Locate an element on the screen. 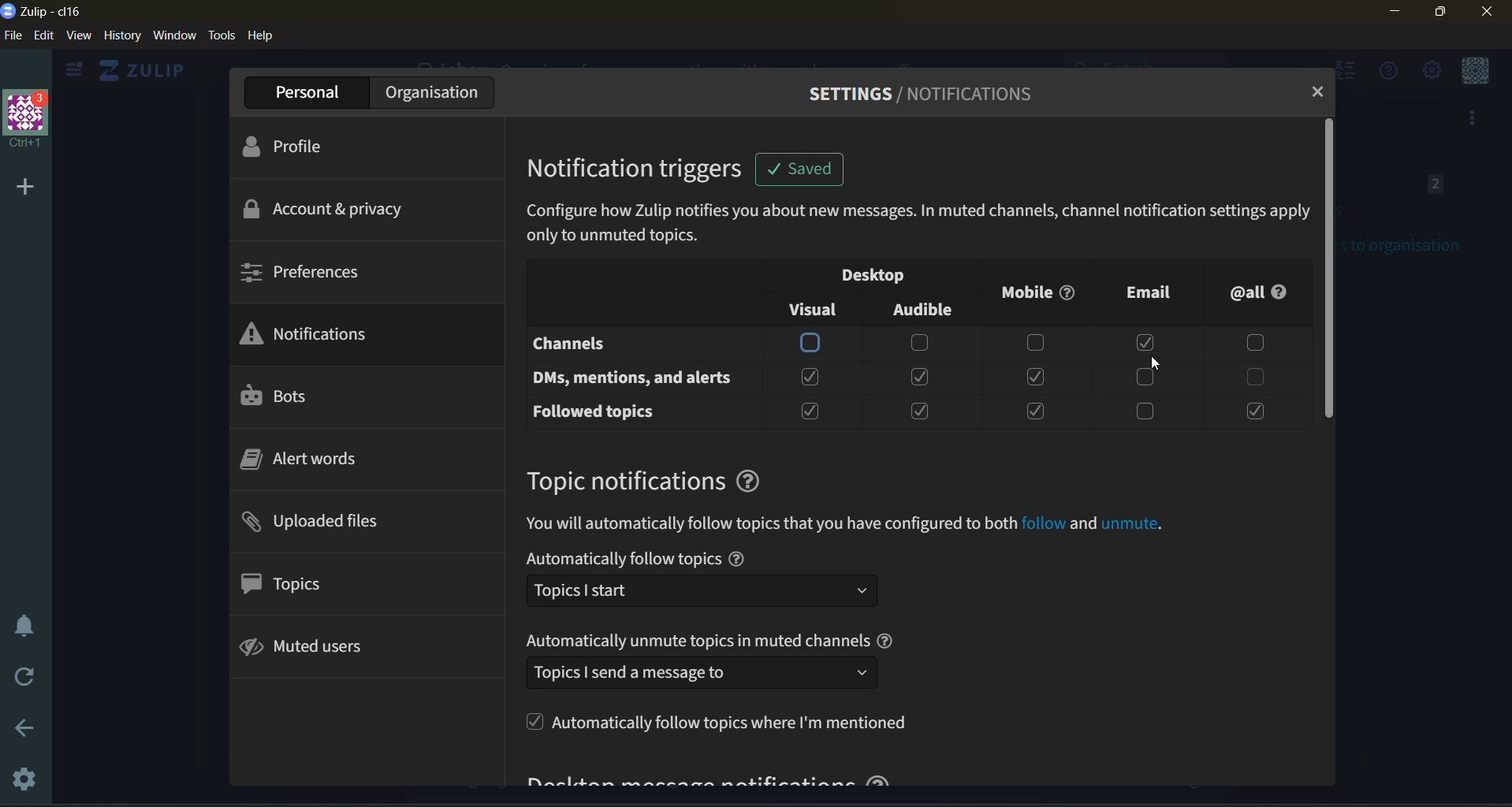 The image size is (1512, 807). invite users to organisation is located at coordinates (1473, 119).